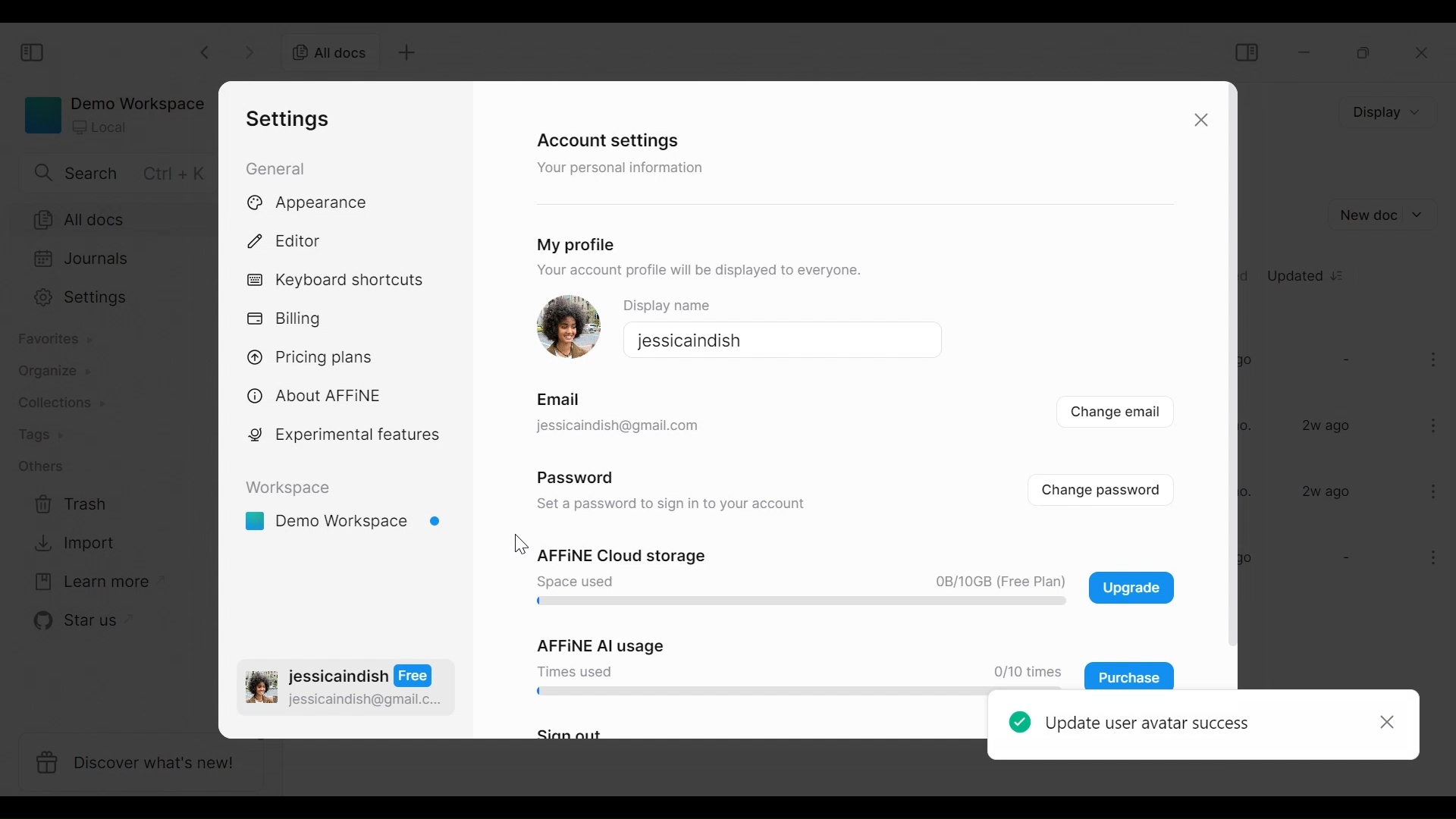 Image resolution: width=1456 pixels, height=819 pixels. Describe the element at coordinates (591, 644) in the screenshot. I see `AFFINE Al usage` at that location.